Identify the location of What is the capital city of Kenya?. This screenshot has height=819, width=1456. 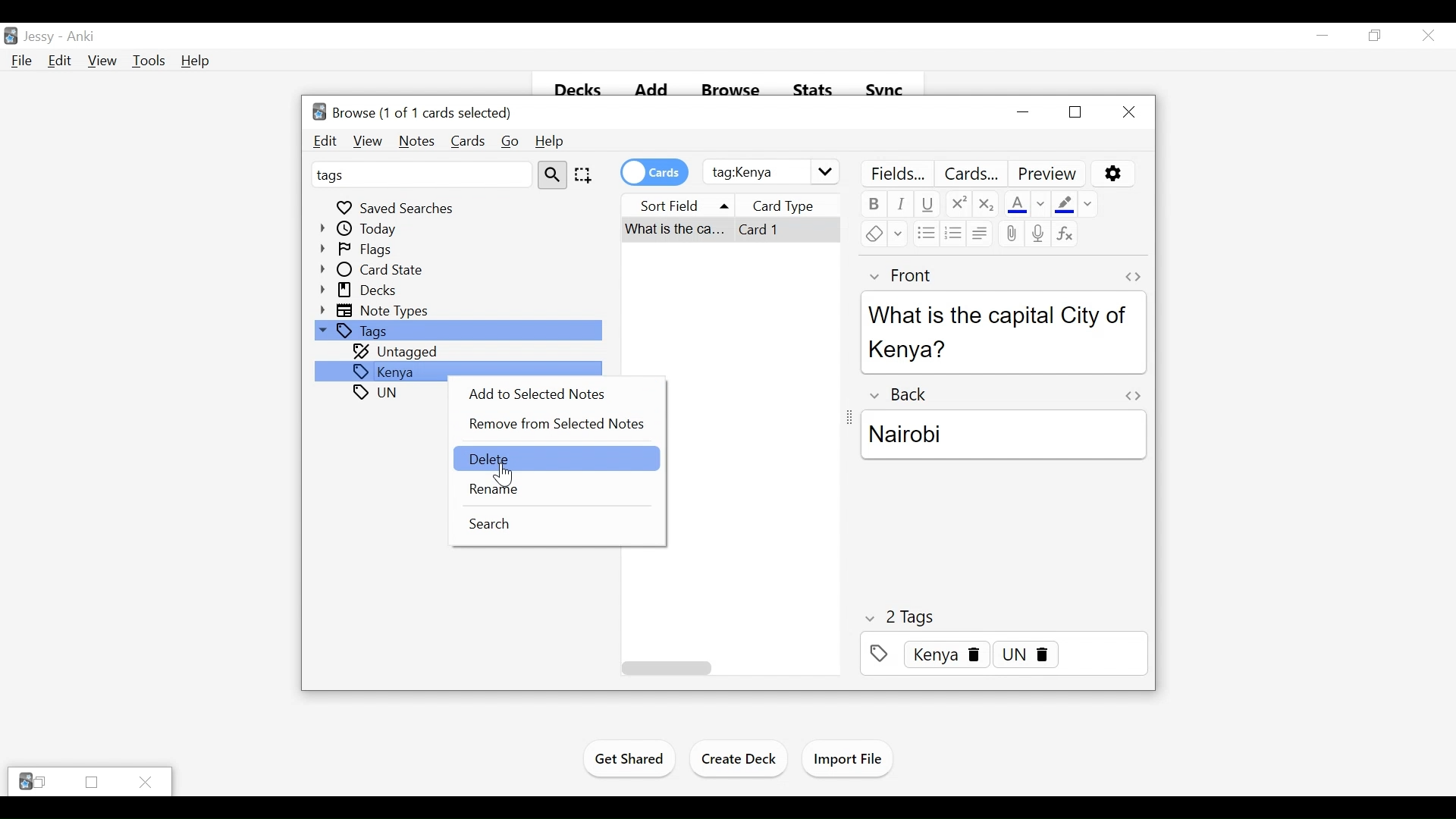
(1002, 331).